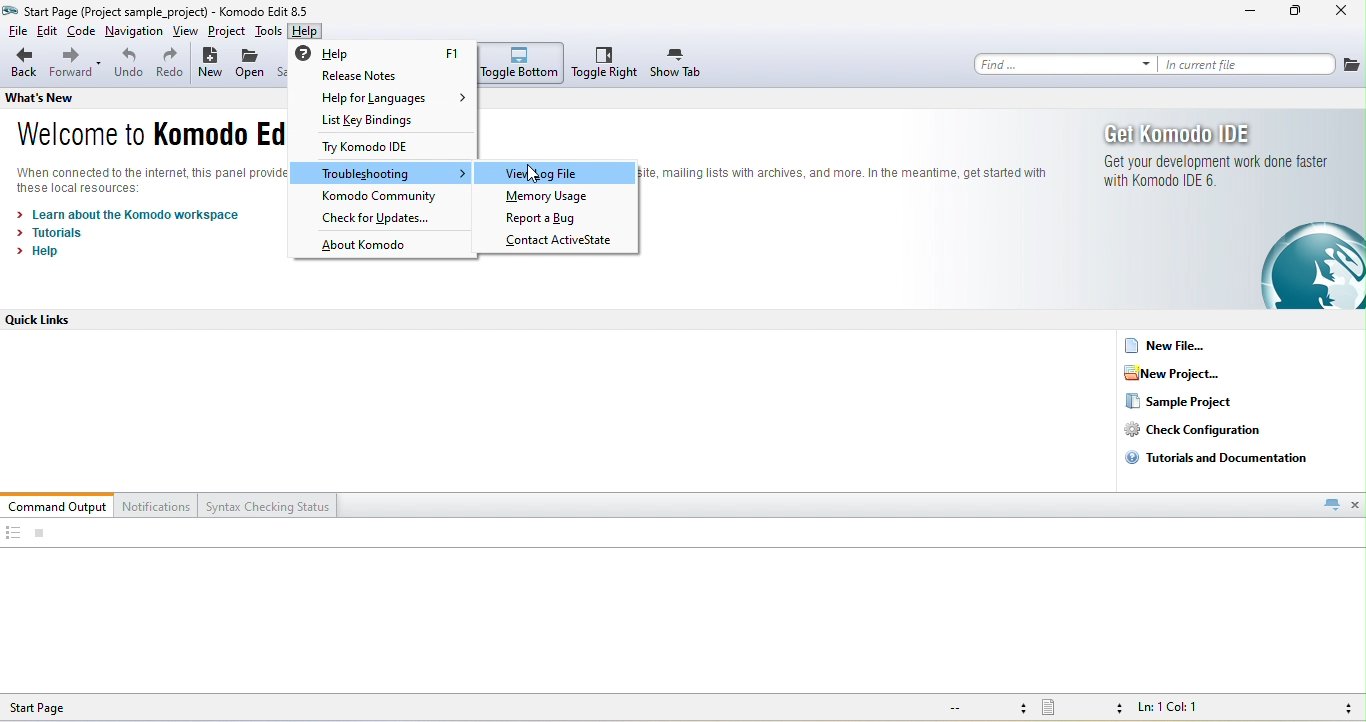 This screenshot has height=722, width=1366. I want to click on komodo community, so click(382, 197).